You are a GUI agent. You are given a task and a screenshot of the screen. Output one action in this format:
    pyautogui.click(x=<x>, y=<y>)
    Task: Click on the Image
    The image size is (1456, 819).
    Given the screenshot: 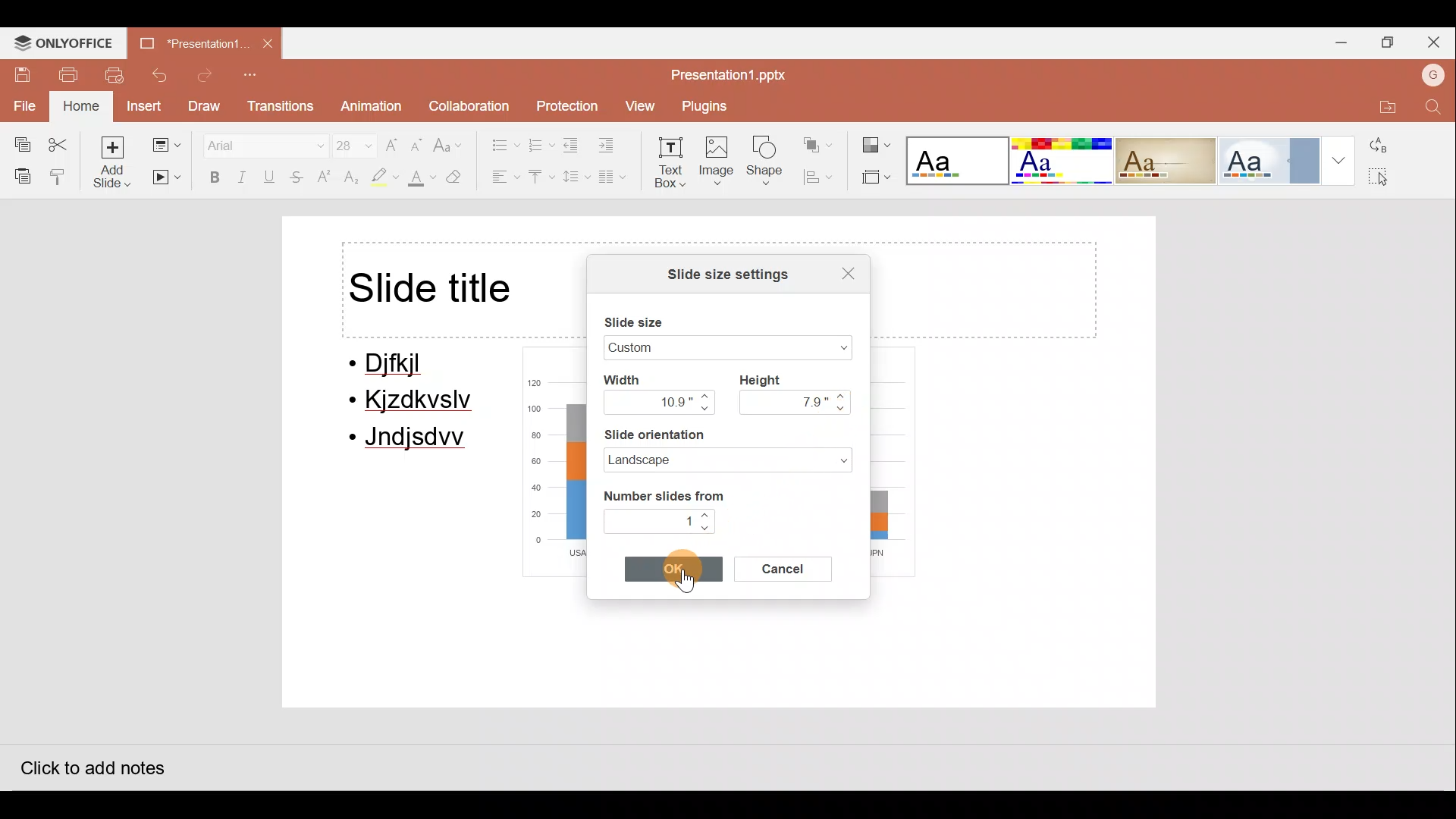 What is the action you would take?
    pyautogui.click(x=718, y=164)
    